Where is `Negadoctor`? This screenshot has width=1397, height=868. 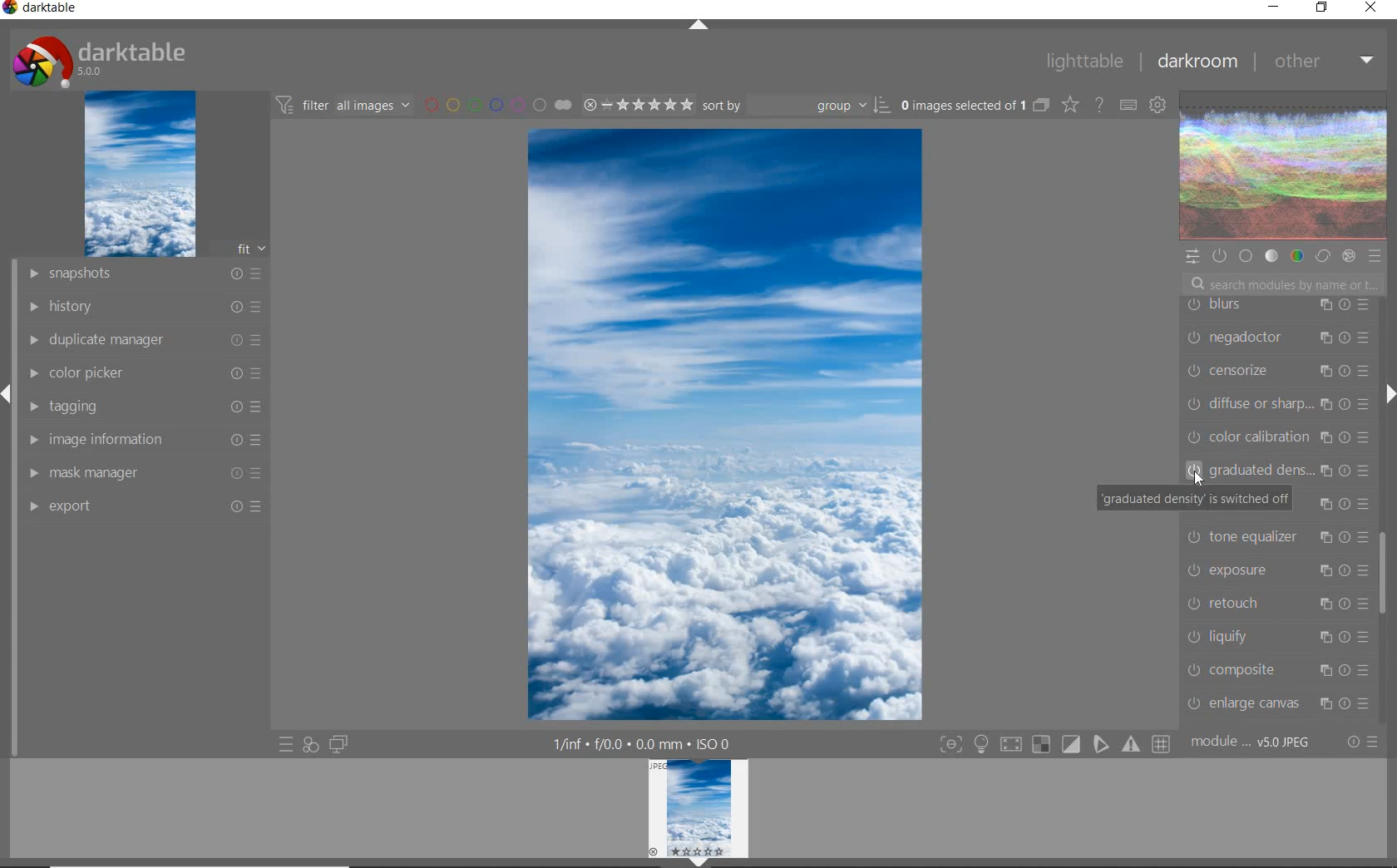
Negadoctor is located at coordinates (1274, 338).